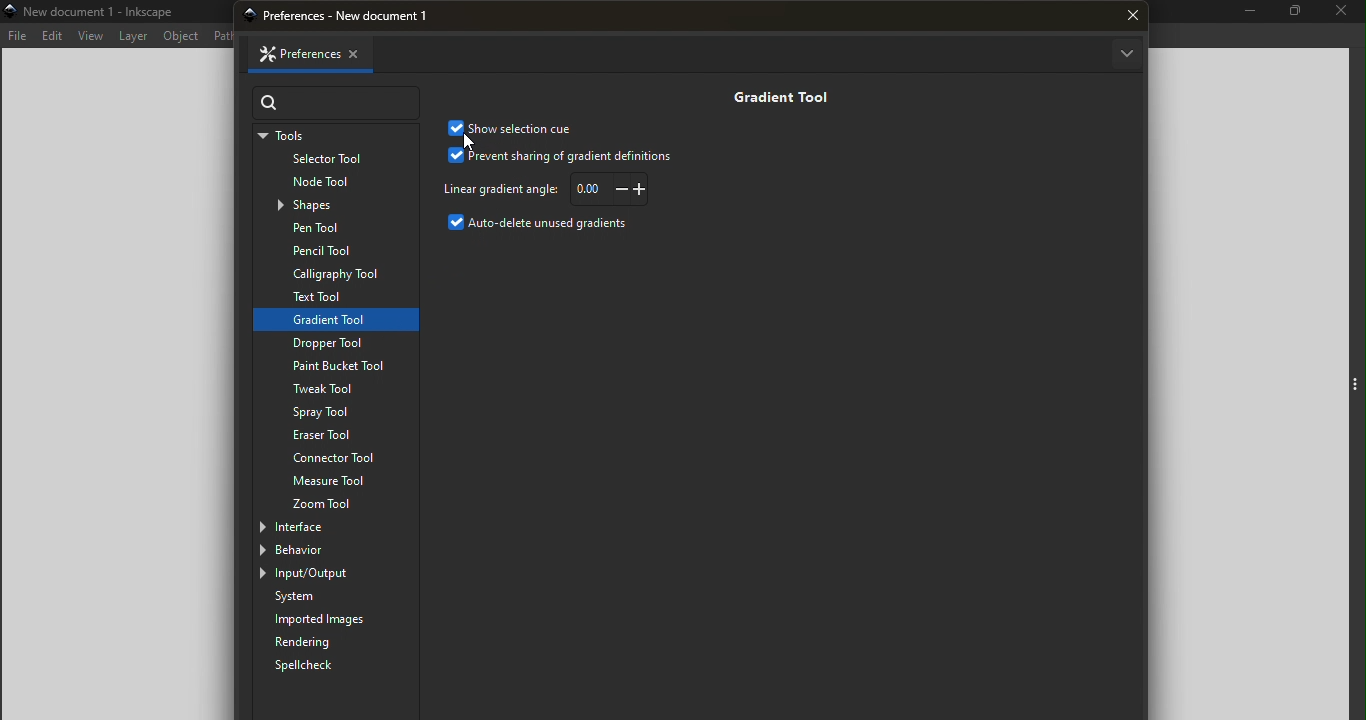 The height and width of the screenshot is (720, 1366). What do you see at coordinates (612, 188) in the screenshot?
I see `Default angle of new linear gradients in degrees (clockwise from horizontal)` at bounding box center [612, 188].